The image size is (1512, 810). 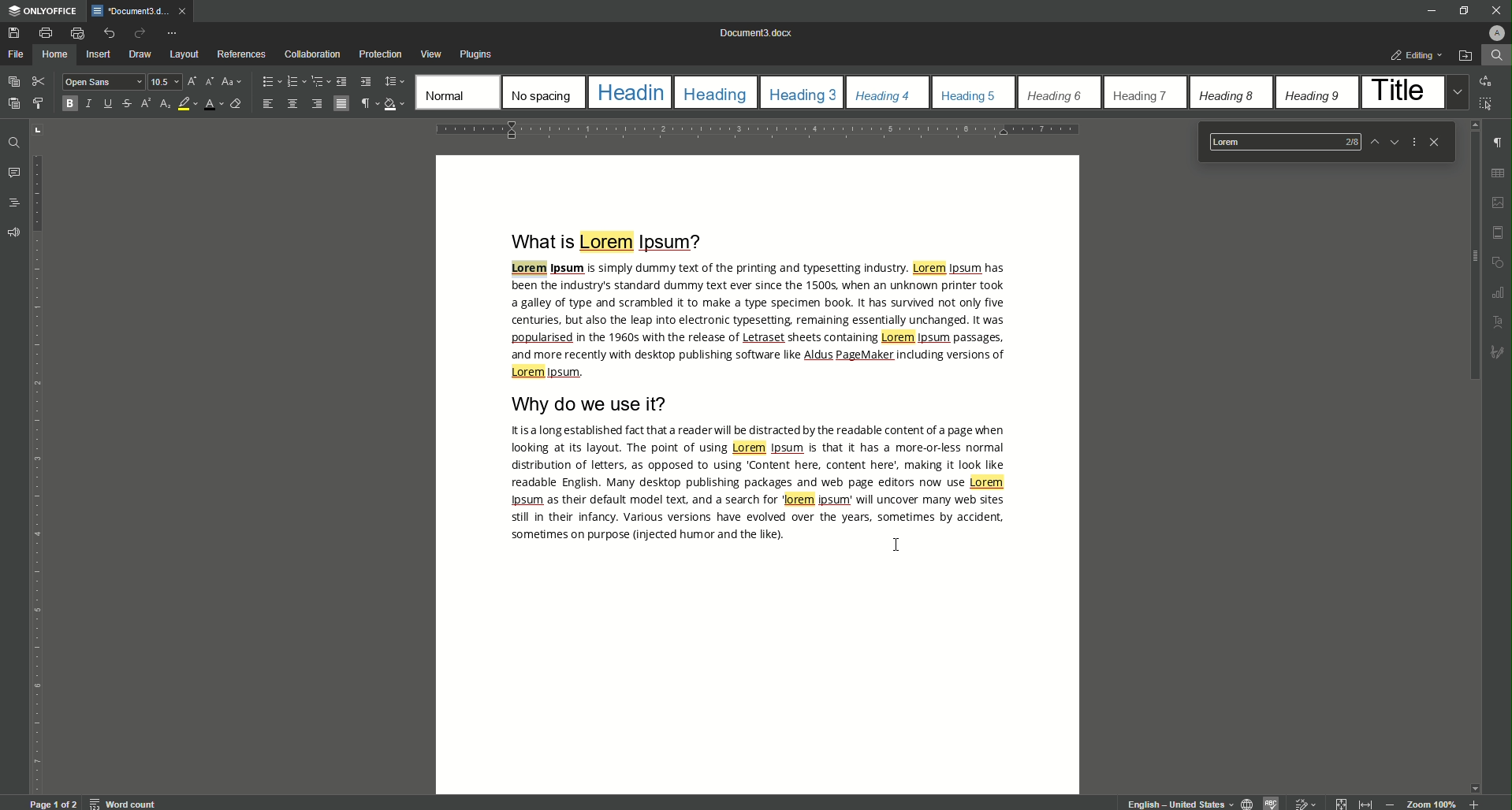 What do you see at coordinates (380, 54) in the screenshot?
I see `Protection` at bounding box center [380, 54].